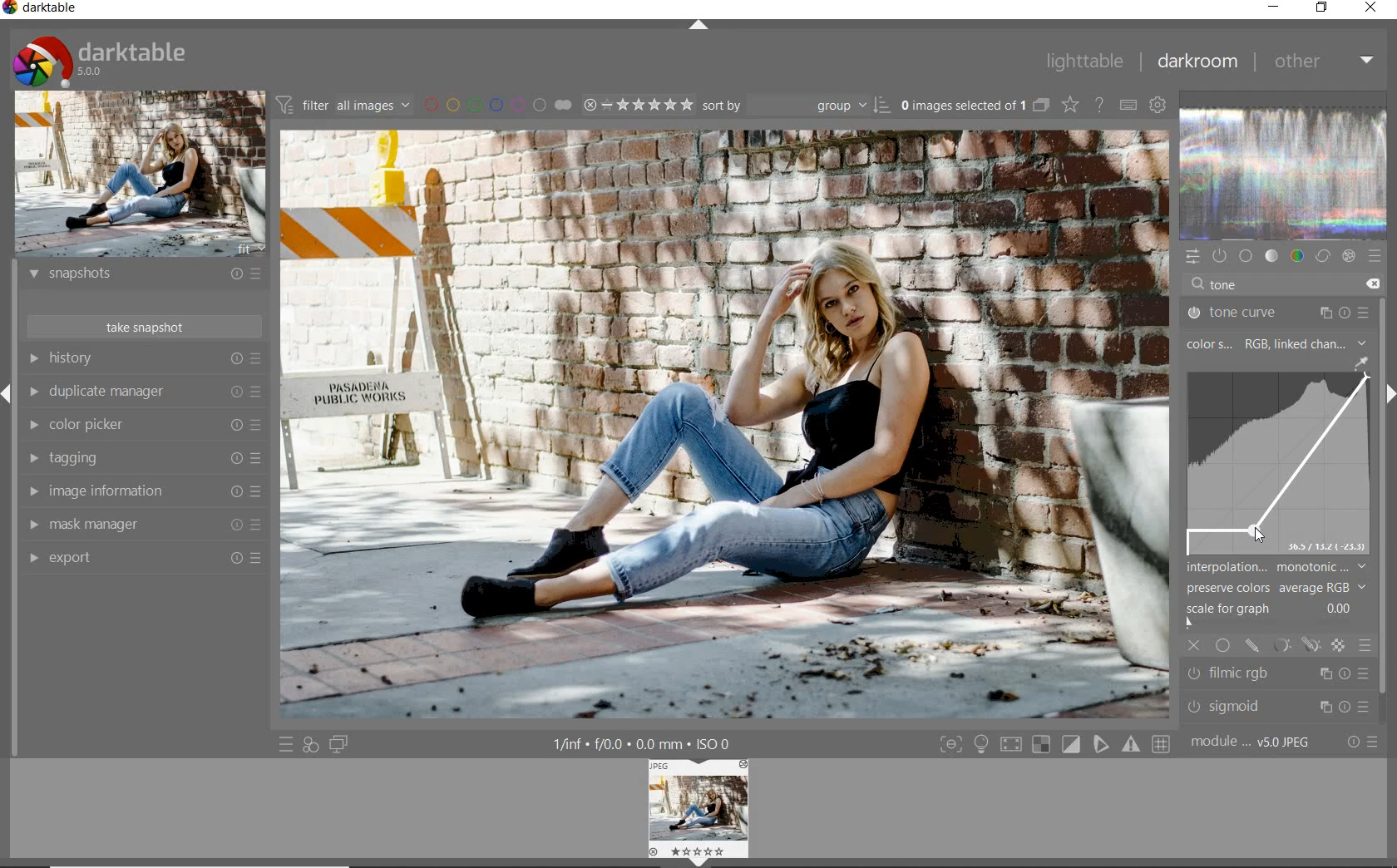  What do you see at coordinates (1349, 259) in the screenshot?
I see `effect` at bounding box center [1349, 259].